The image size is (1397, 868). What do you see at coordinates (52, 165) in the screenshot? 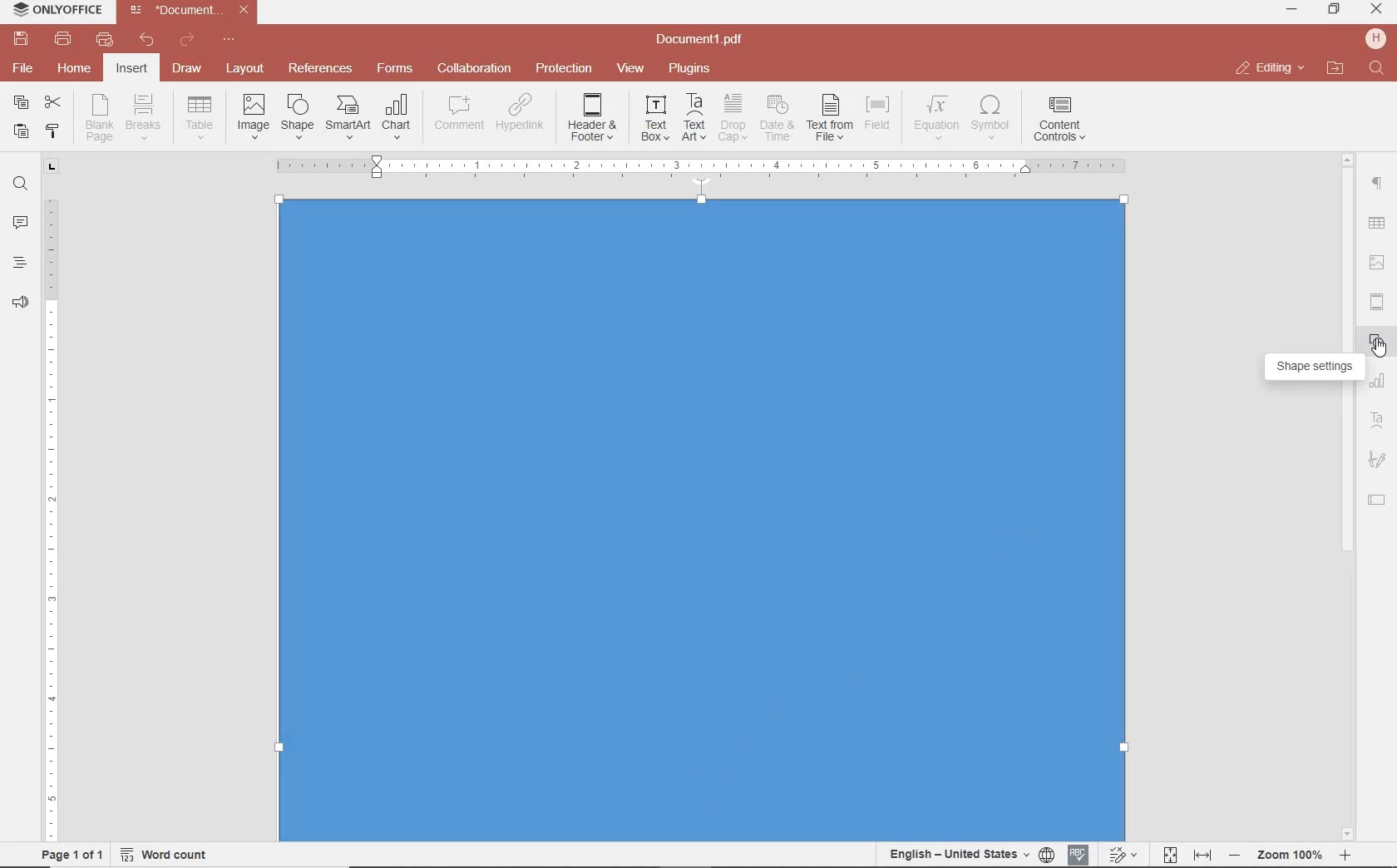
I see `tab stop` at bounding box center [52, 165].